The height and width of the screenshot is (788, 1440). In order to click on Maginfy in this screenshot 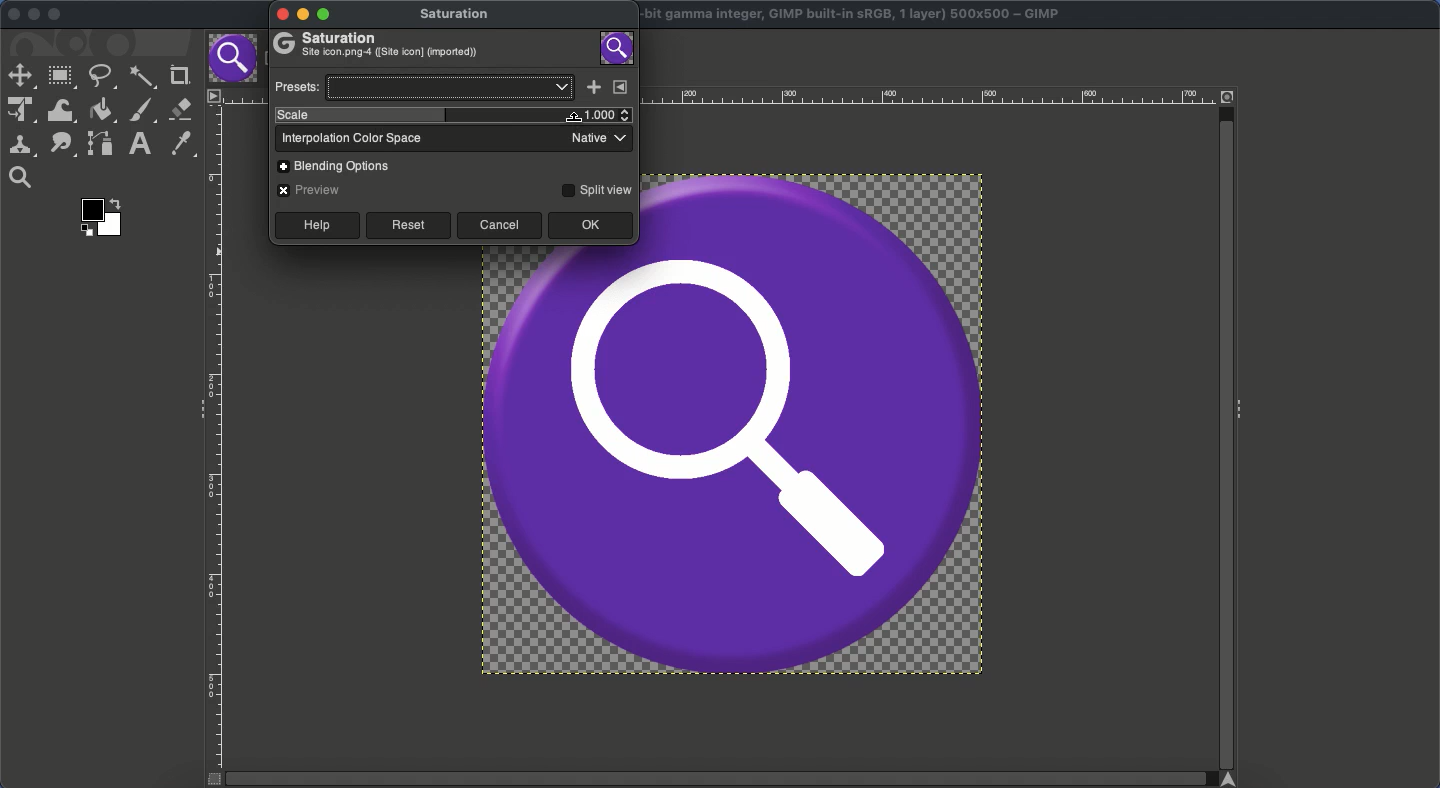, I will do `click(19, 177)`.